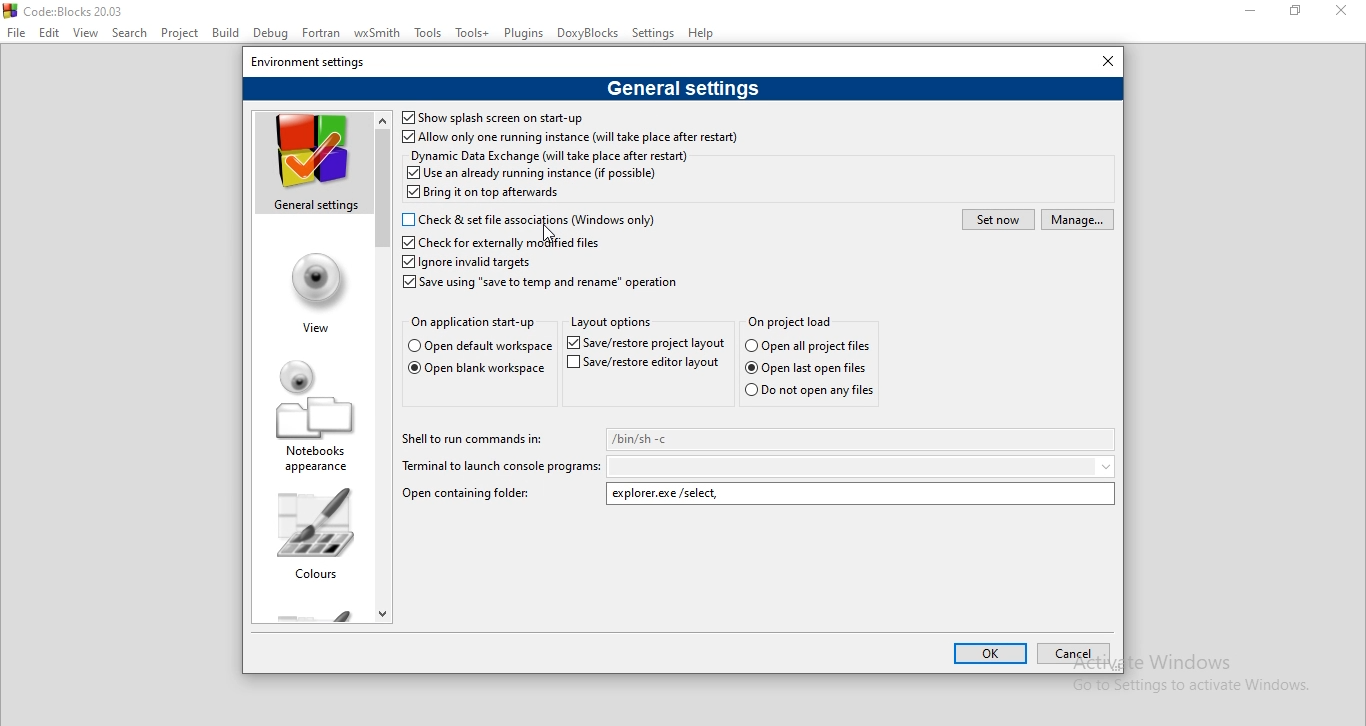  Describe the element at coordinates (476, 347) in the screenshot. I see `Open all project files` at that location.